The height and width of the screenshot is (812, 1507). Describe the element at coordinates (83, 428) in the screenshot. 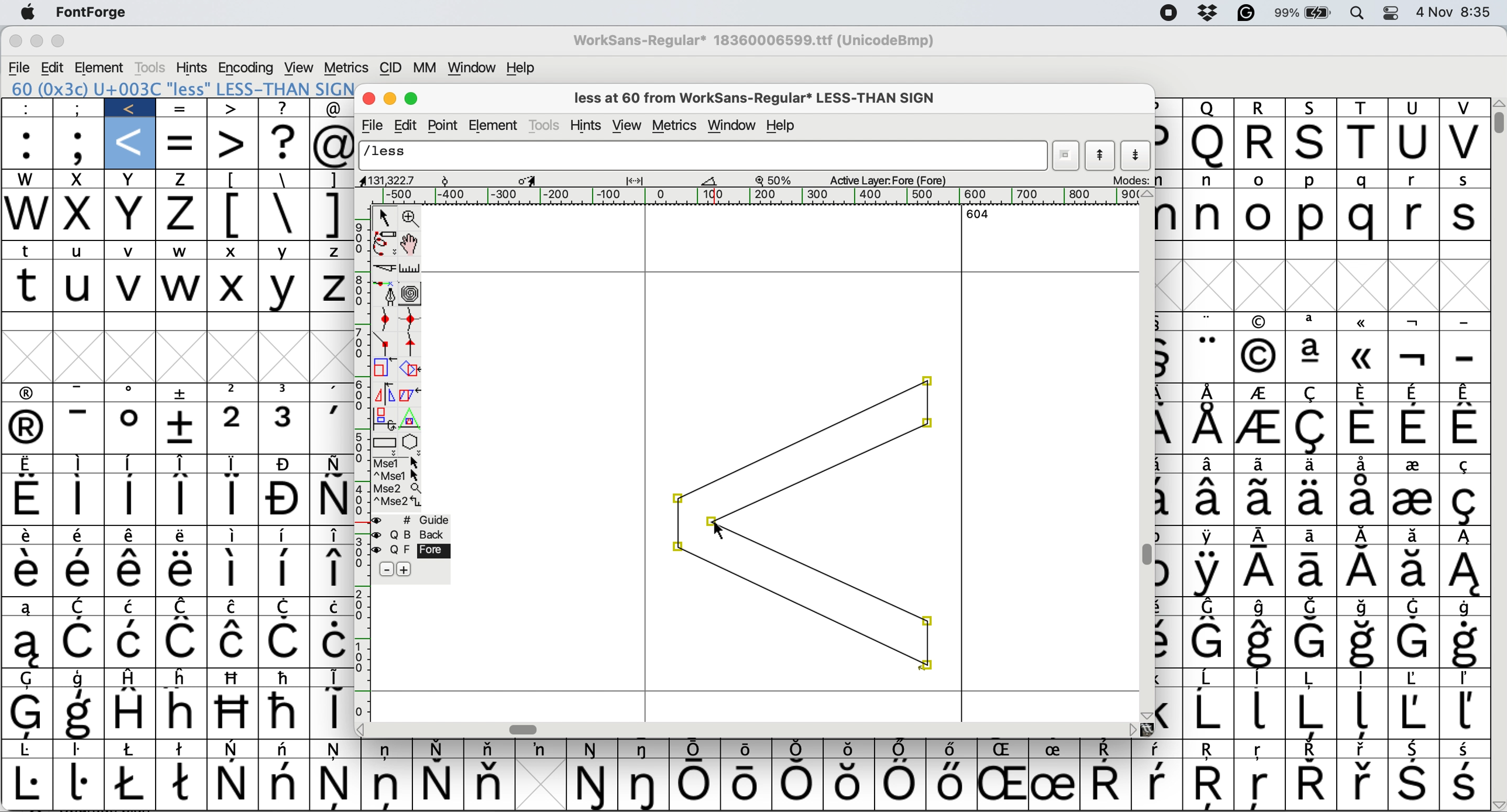

I see `-` at that location.